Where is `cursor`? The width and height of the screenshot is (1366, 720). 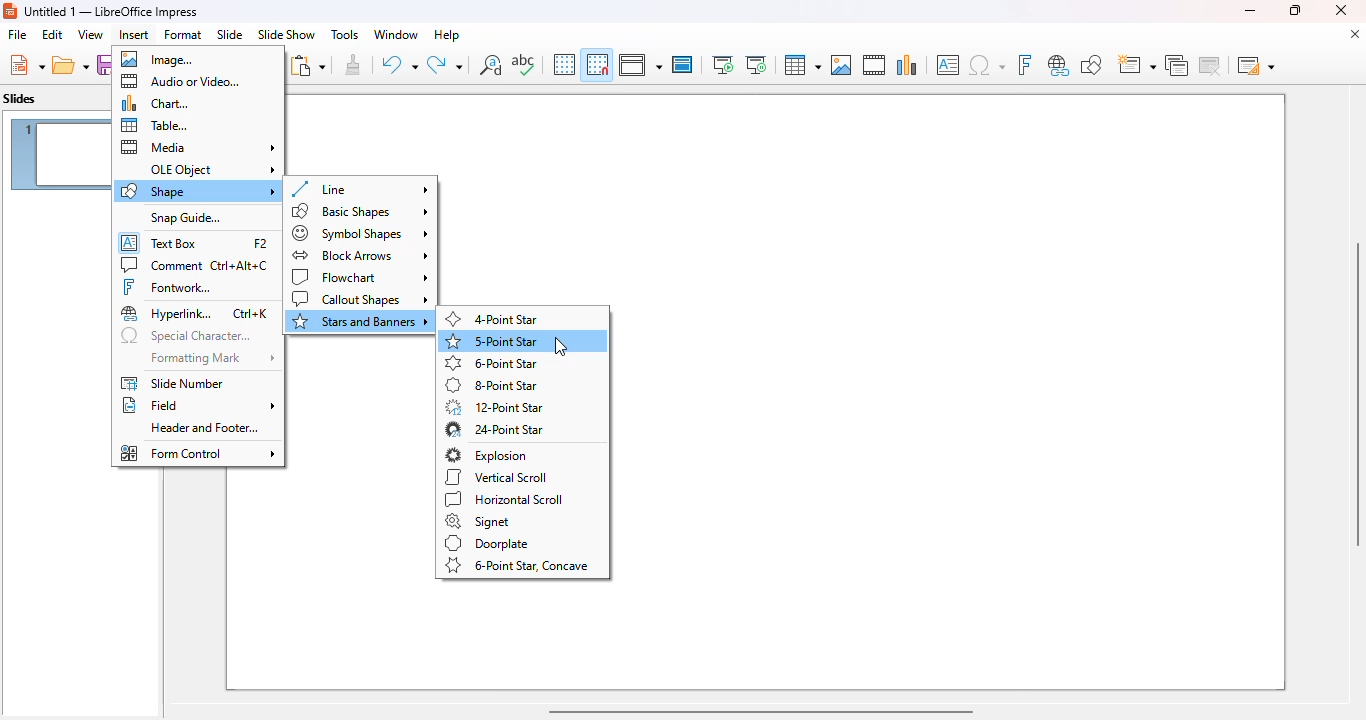
cursor is located at coordinates (561, 346).